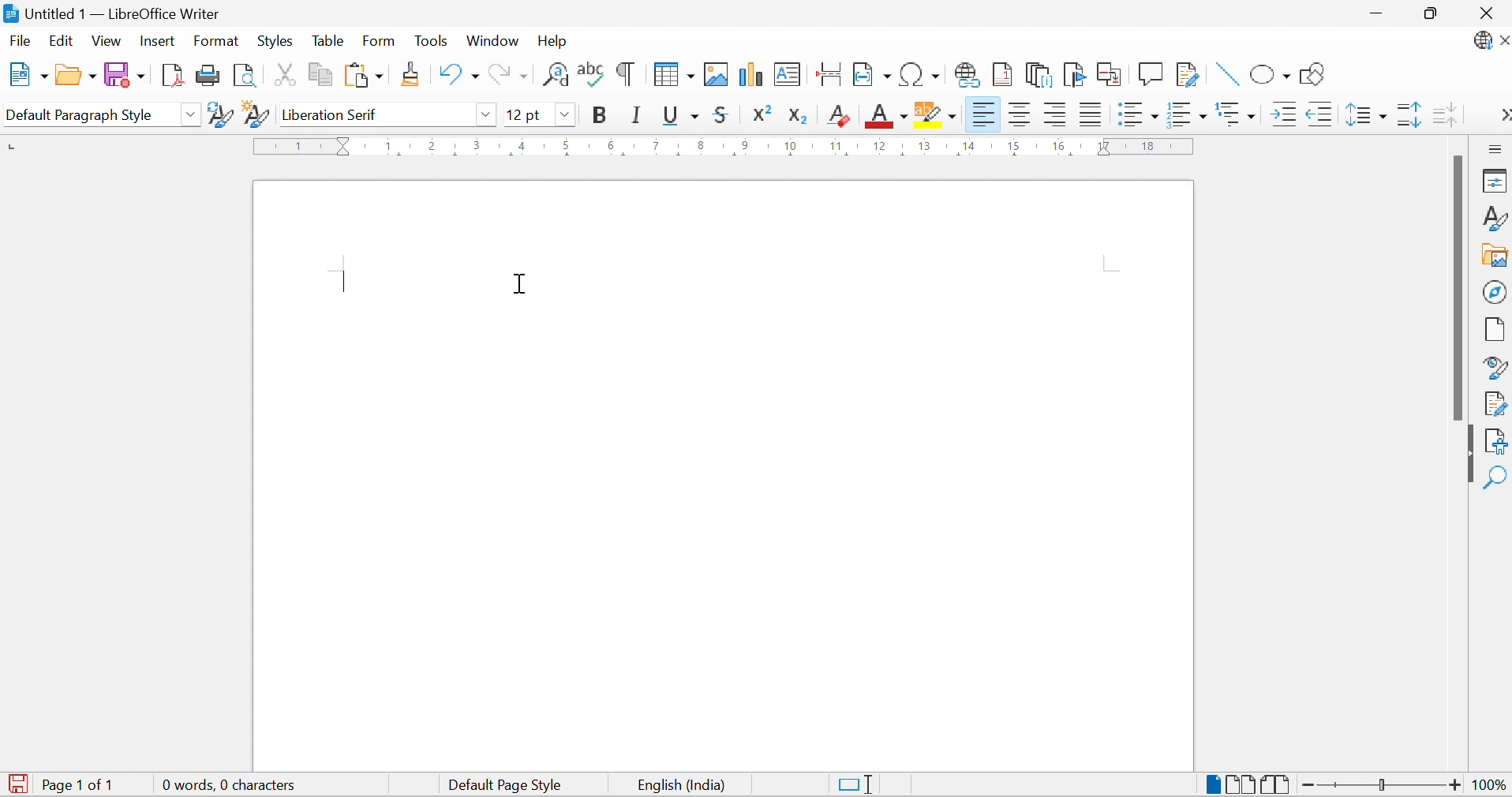  Describe the element at coordinates (701, 147) in the screenshot. I see `8` at that location.